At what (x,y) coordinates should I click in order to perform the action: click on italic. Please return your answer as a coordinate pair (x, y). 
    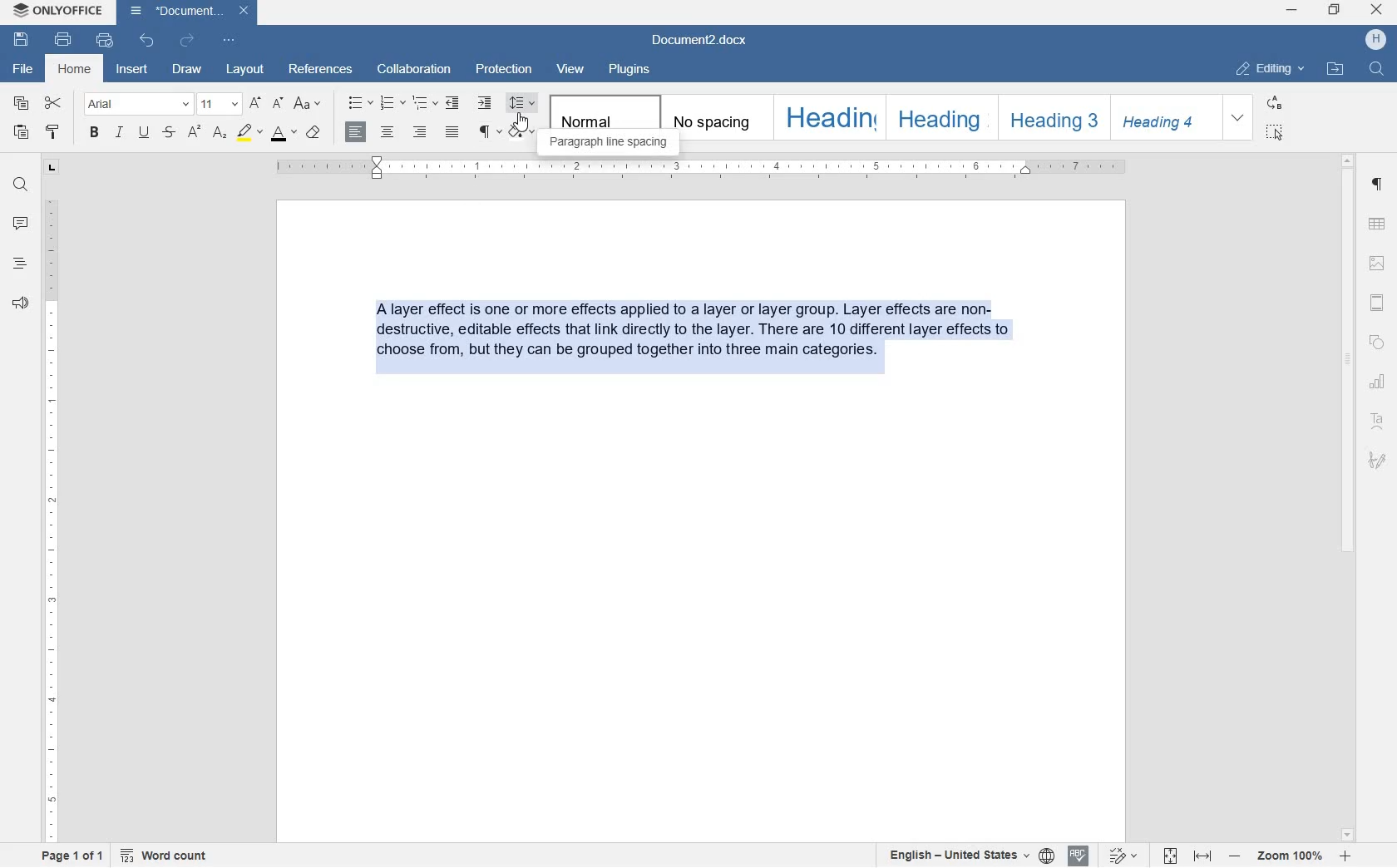
    Looking at the image, I should click on (120, 133).